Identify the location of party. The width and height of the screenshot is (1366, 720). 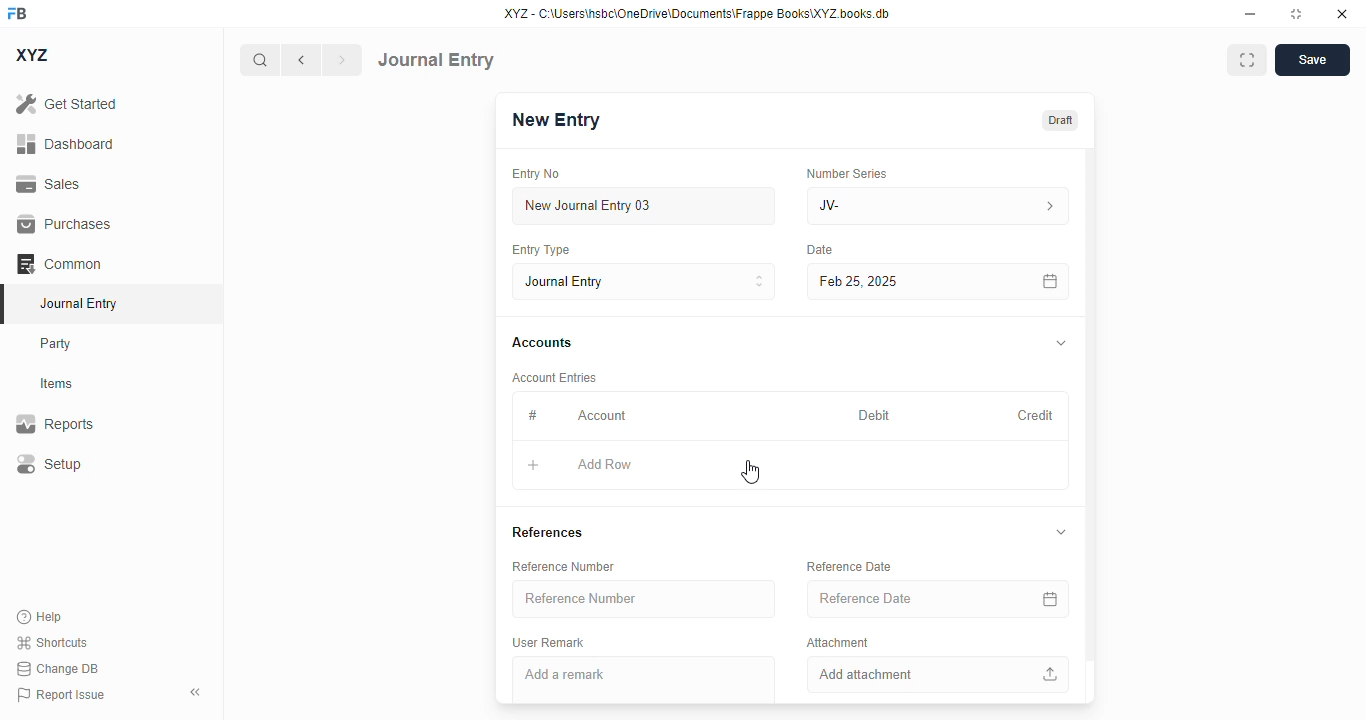
(56, 344).